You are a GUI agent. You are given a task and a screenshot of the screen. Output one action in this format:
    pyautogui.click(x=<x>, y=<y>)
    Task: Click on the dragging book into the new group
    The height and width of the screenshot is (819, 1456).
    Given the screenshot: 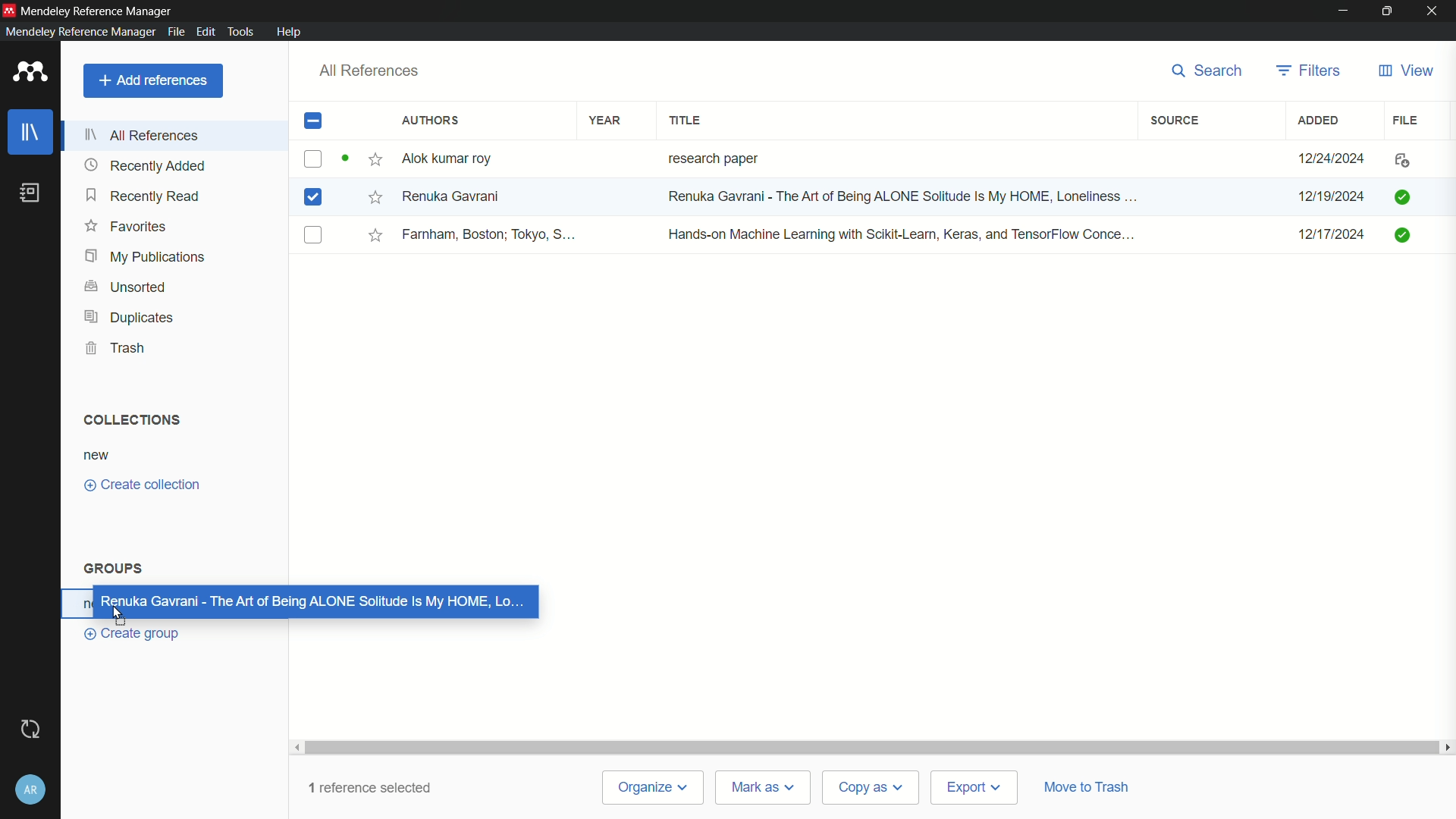 What is the action you would take?
    pyautogui.click(x=317, y=602)
    